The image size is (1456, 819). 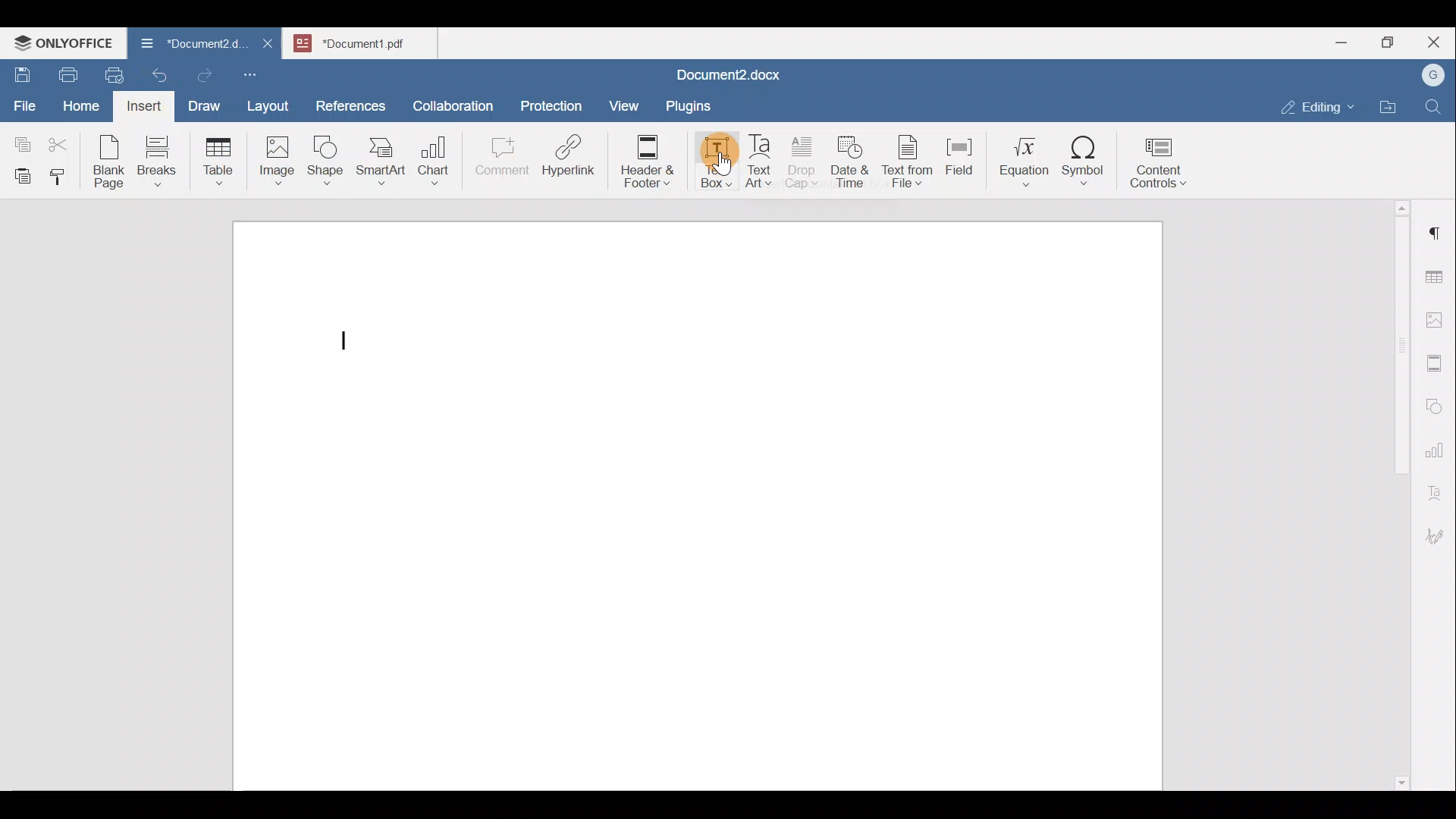 What do you see at coordinates (959, 154) in the screenshot?
I see `Field` at bounding box center [959, 154].